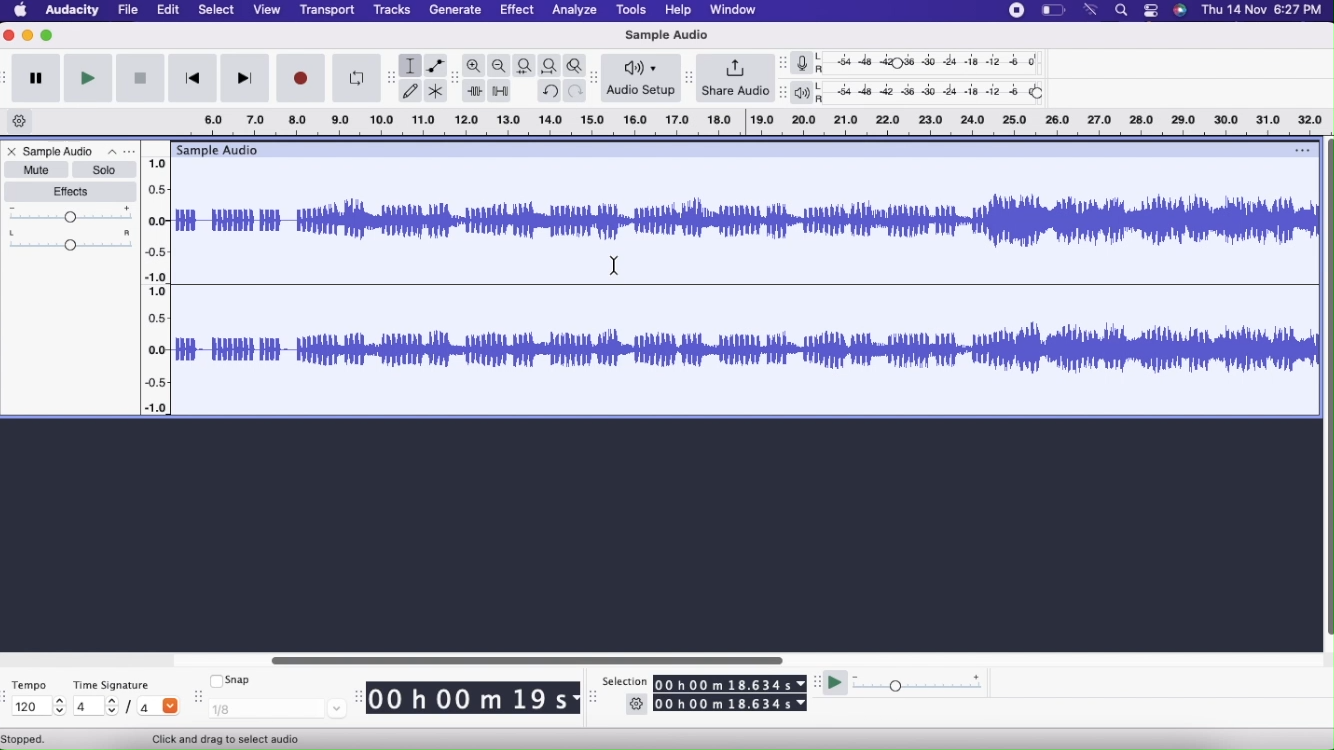  What do you see at coordinates (1153, 14) in the screenshot?
I see `options` at bounding box center [1153, 14].